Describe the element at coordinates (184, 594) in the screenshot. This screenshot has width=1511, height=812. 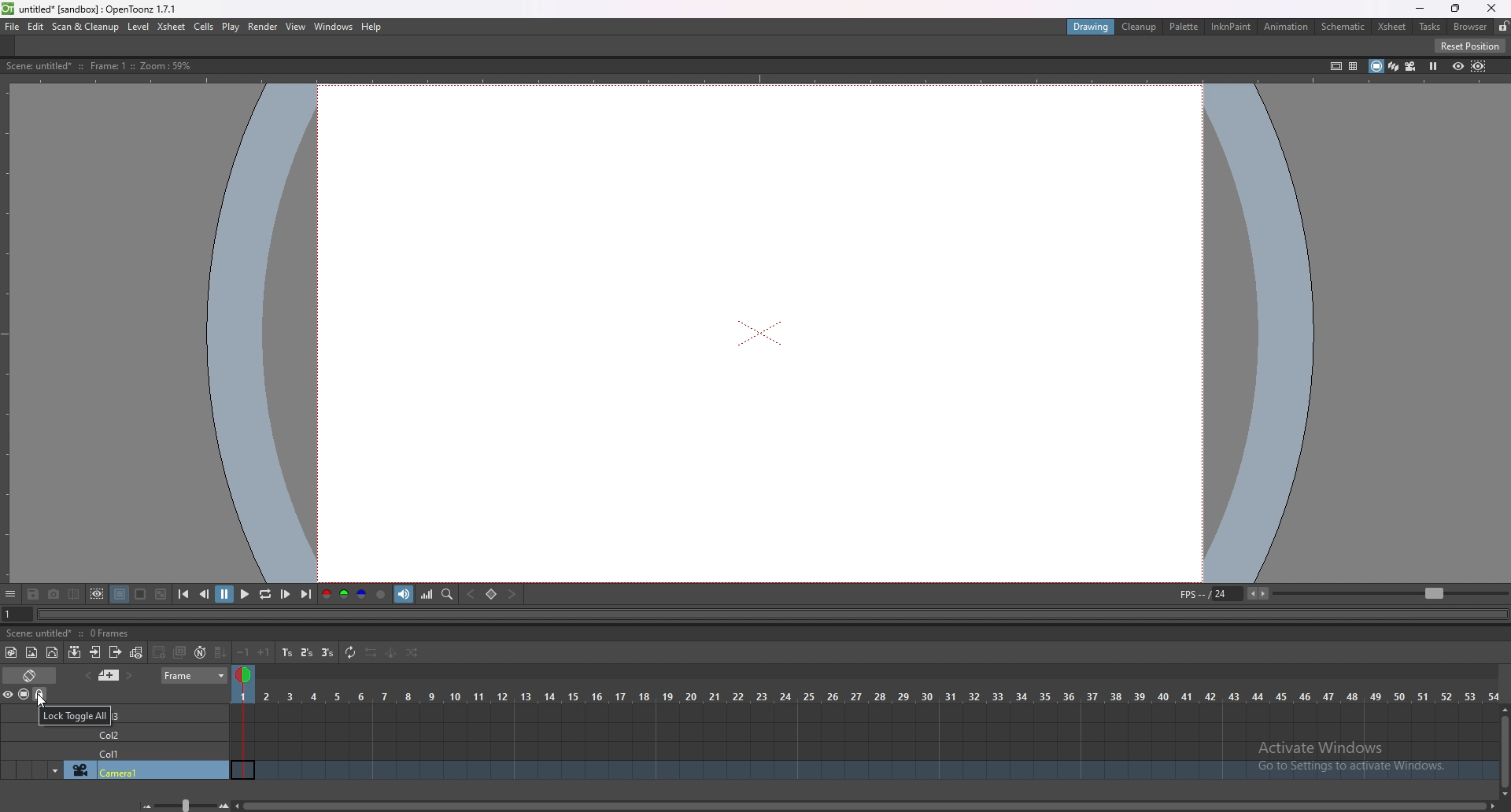
I see `first frame` at that location.